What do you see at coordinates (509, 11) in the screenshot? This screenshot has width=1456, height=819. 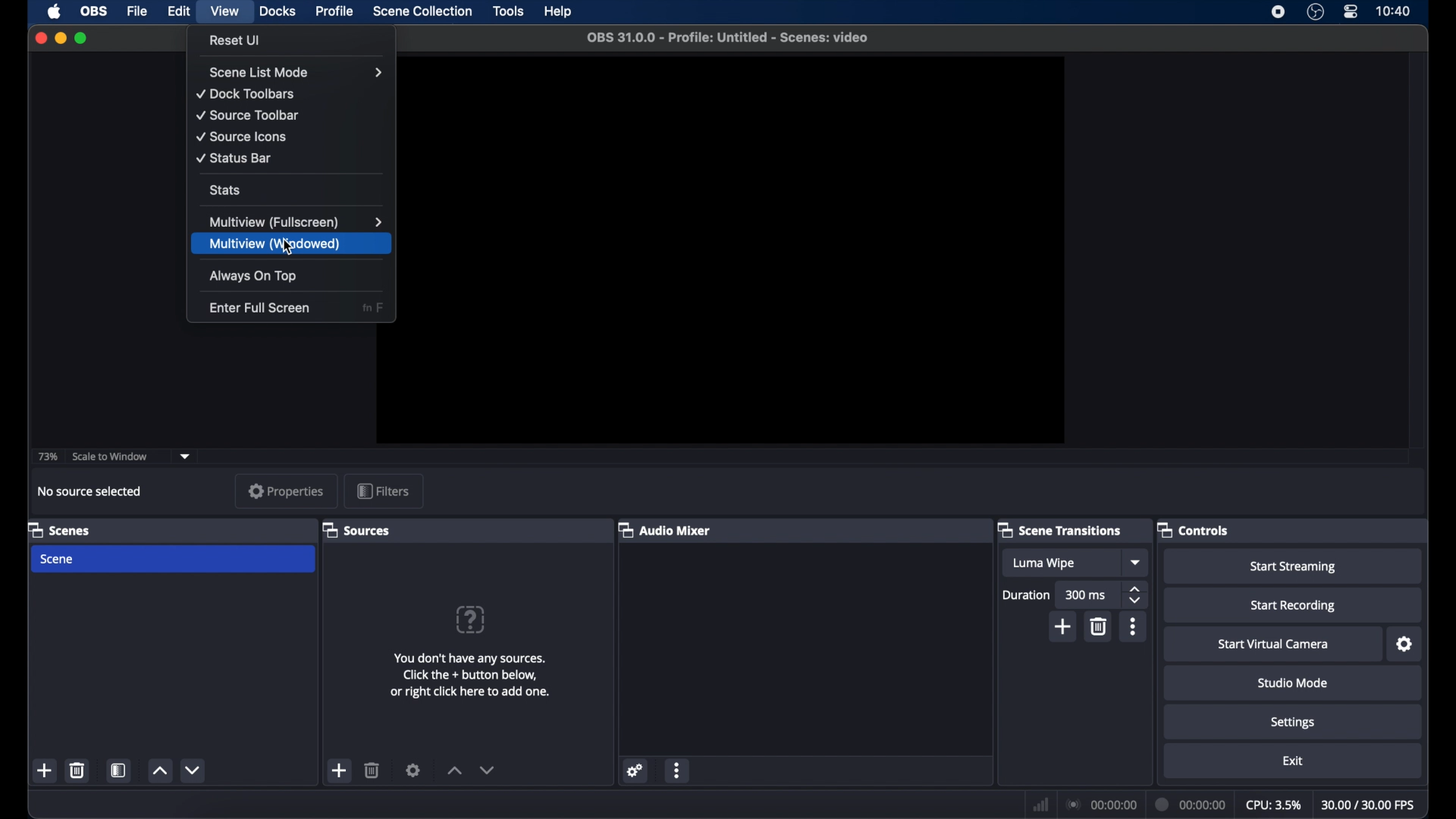 I see `tools` at bounding box center [509, 11].